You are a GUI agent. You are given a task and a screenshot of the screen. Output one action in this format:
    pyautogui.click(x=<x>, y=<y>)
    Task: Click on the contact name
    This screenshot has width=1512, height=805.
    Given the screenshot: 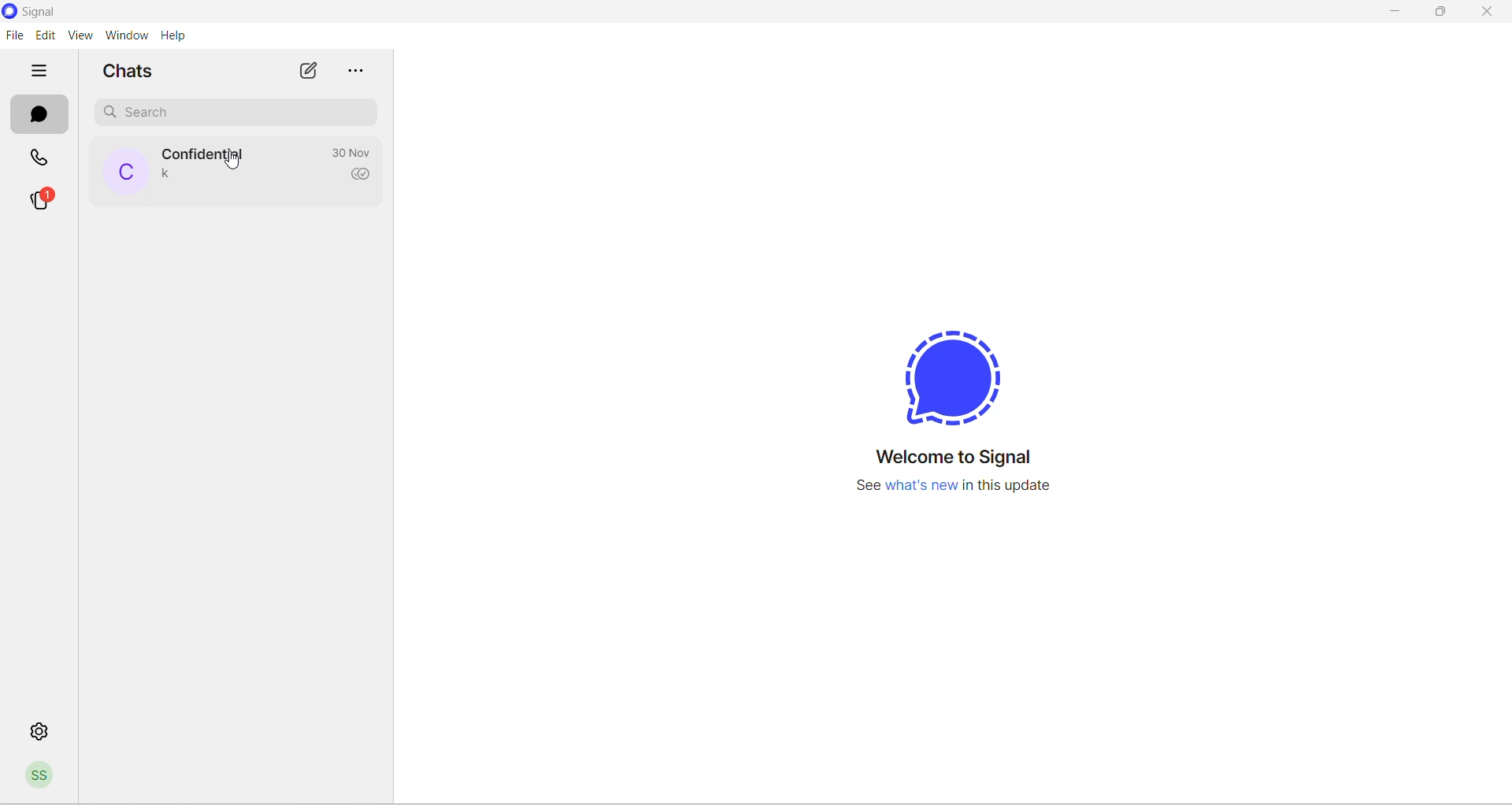 What is the action you would take?
    pyautogui.click(x=205, y=153)
    